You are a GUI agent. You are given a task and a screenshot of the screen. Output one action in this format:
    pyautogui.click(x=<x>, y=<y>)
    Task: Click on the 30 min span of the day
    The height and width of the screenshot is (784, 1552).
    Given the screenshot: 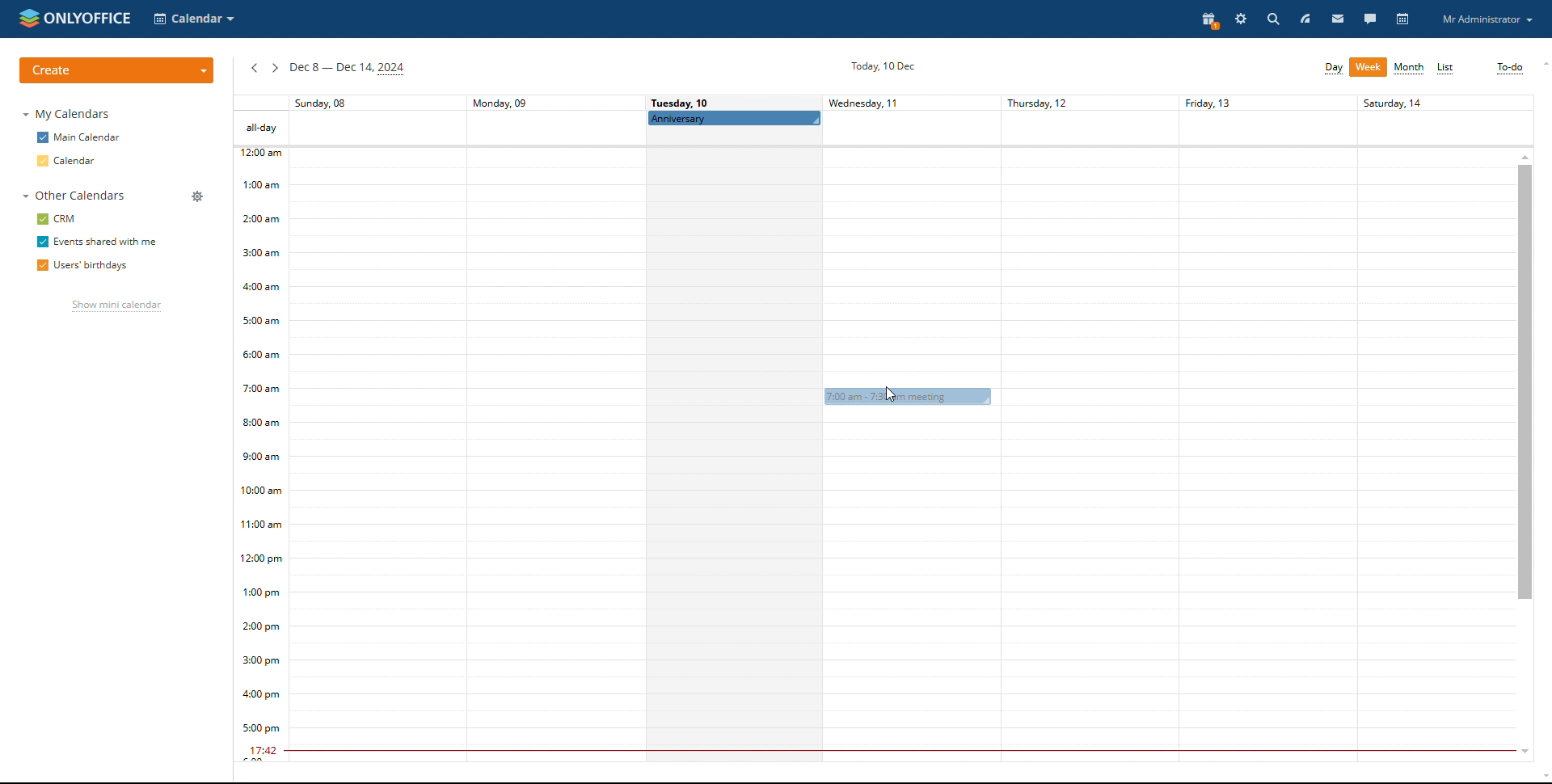 What is the action you would take?
    pyautogui.click(x=902, y=464)
    